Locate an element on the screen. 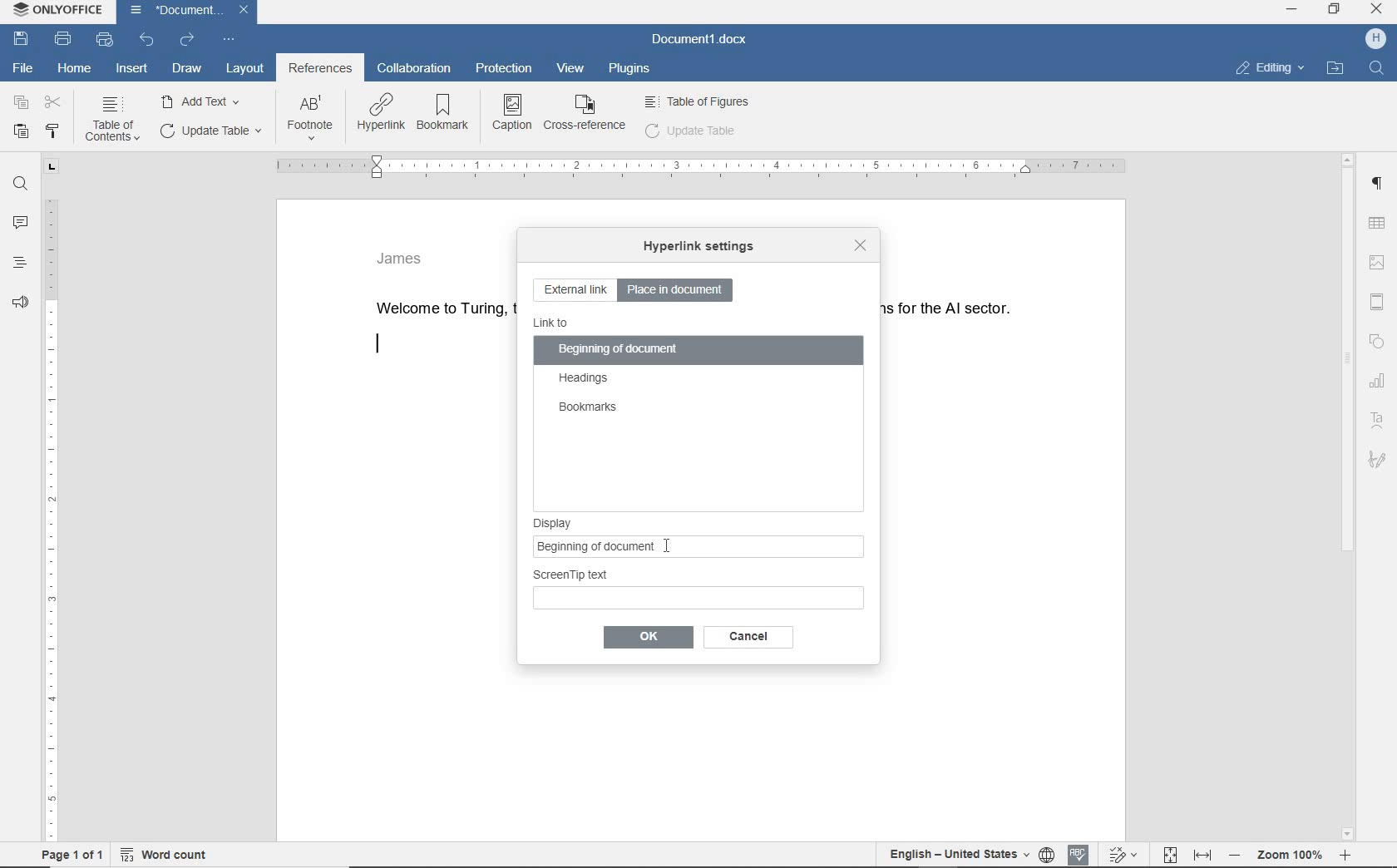  image is located at coordinates (1380, 259).